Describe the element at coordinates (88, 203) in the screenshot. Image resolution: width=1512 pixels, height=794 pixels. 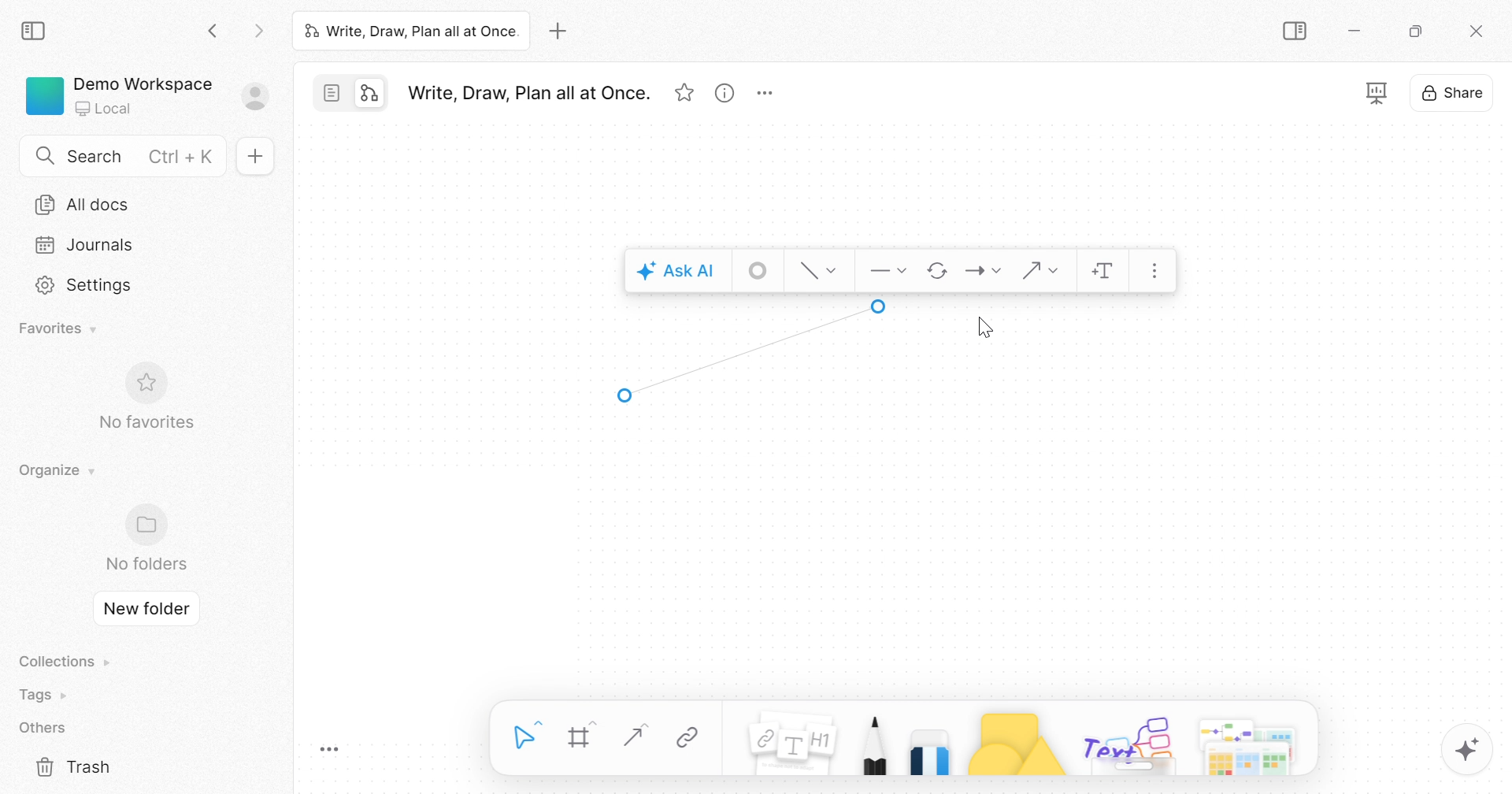
I see `All docs` at that location.